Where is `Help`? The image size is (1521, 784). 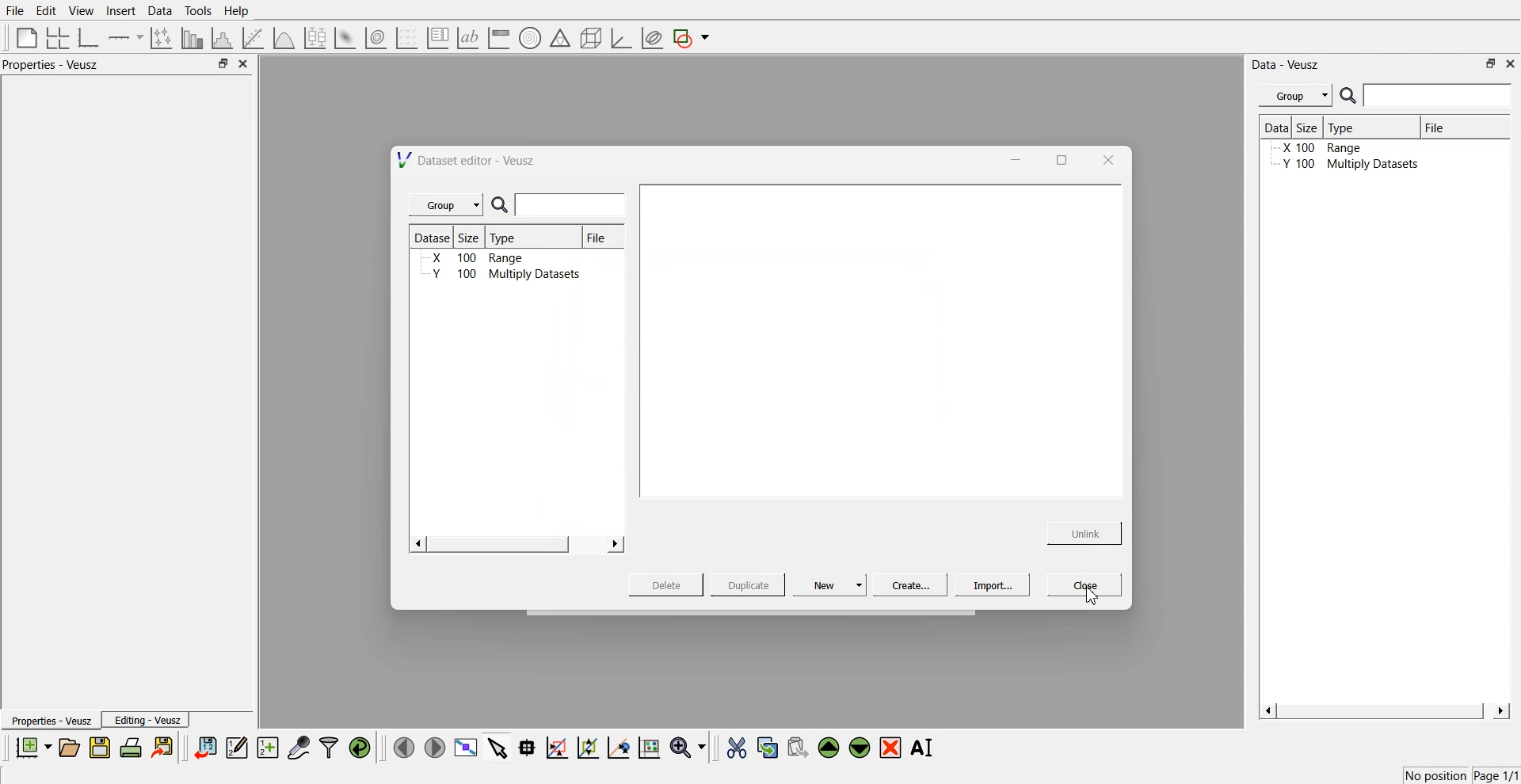
Help is located at coordinates (242, 13).